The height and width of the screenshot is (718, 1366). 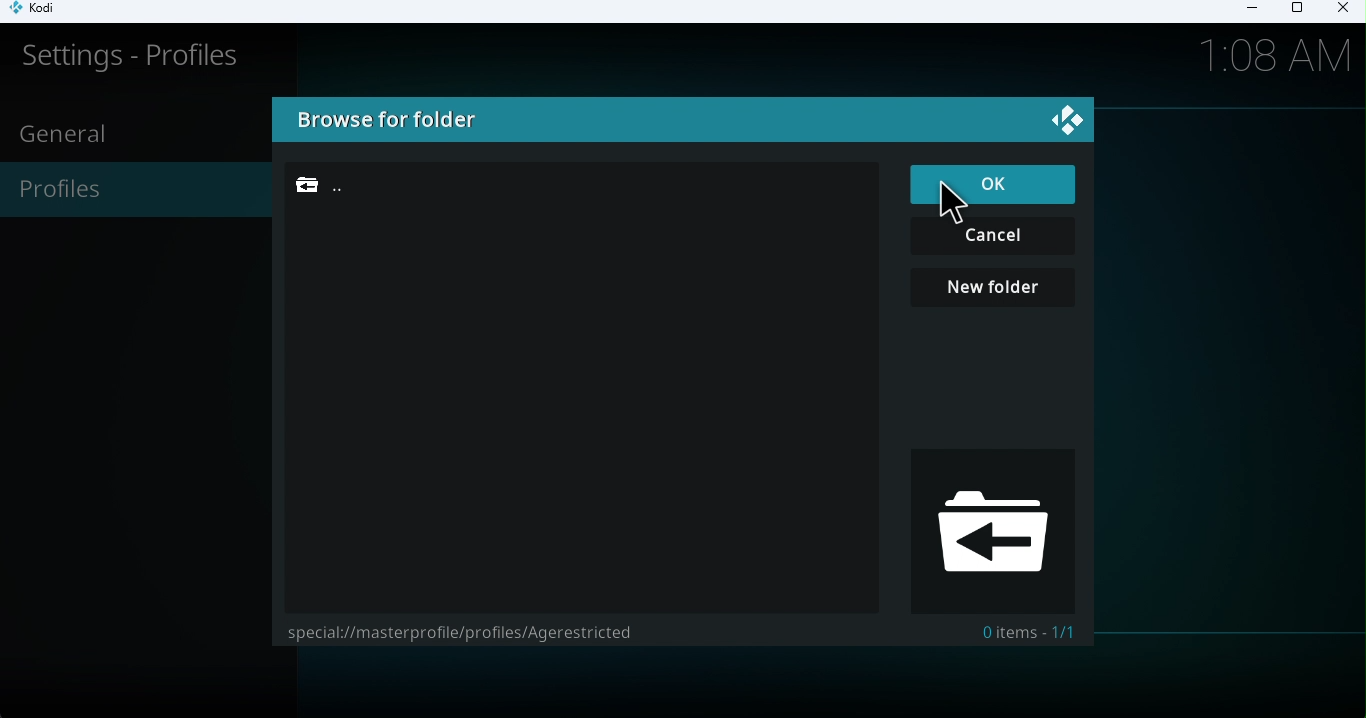 What do you see at coordinates (460, 629) in the screenshot?
I see `special://masterprofile/profiles/Agerestricted` at bounding box center [460, 629].